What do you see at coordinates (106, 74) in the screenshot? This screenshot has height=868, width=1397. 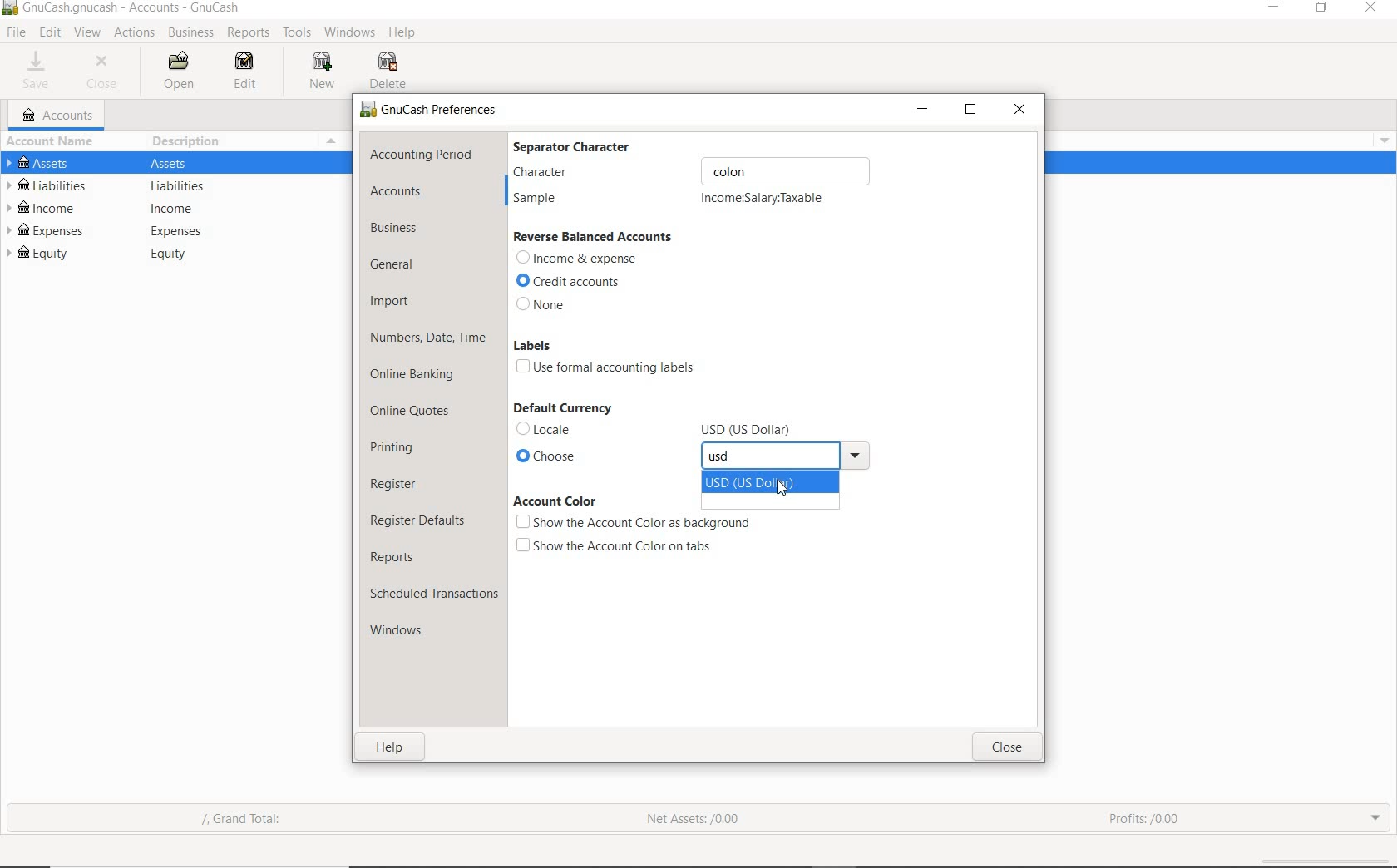 I see `CLOSE` at bounding box center [106, 74].